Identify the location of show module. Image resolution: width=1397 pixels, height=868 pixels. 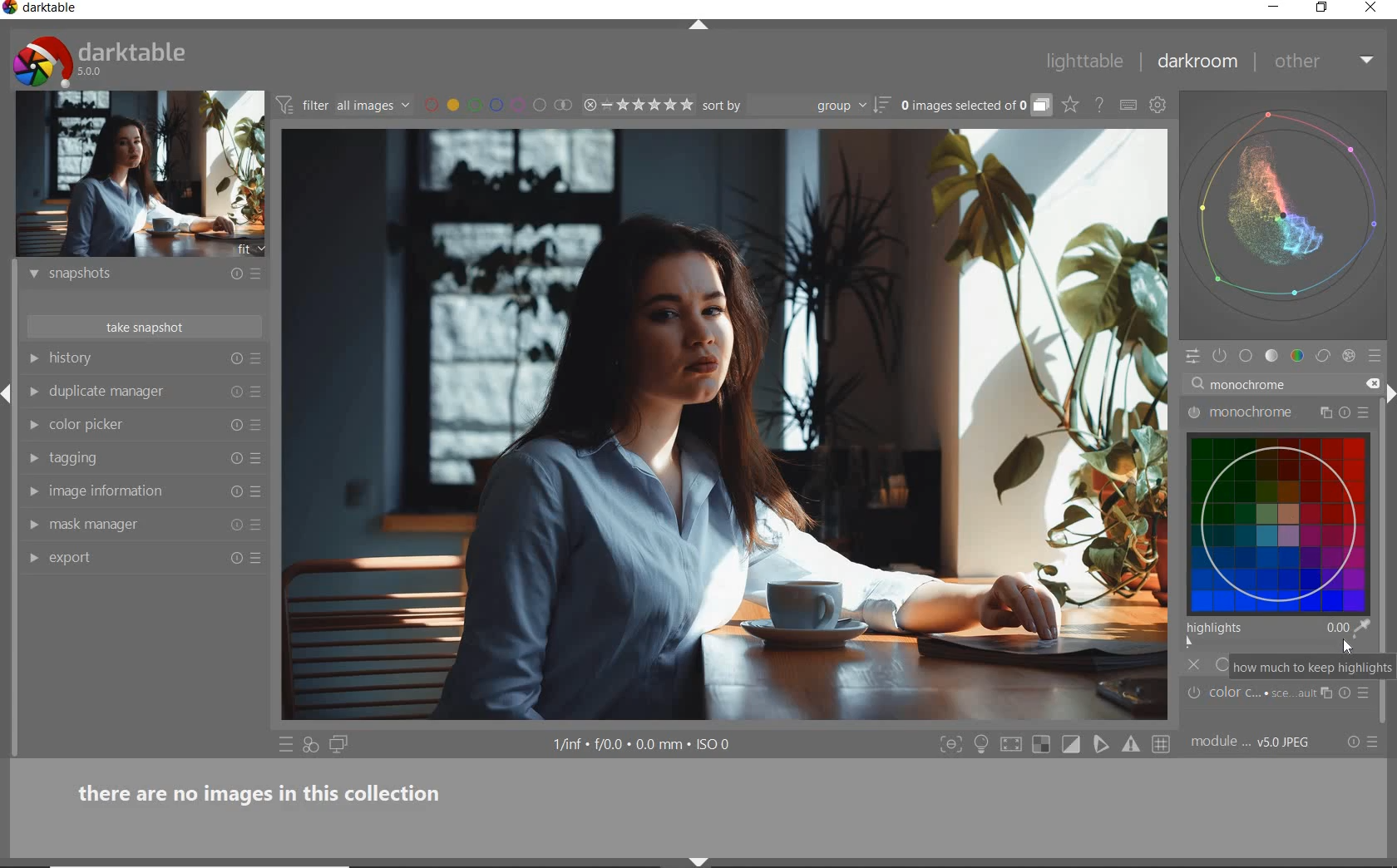
(32, 358).